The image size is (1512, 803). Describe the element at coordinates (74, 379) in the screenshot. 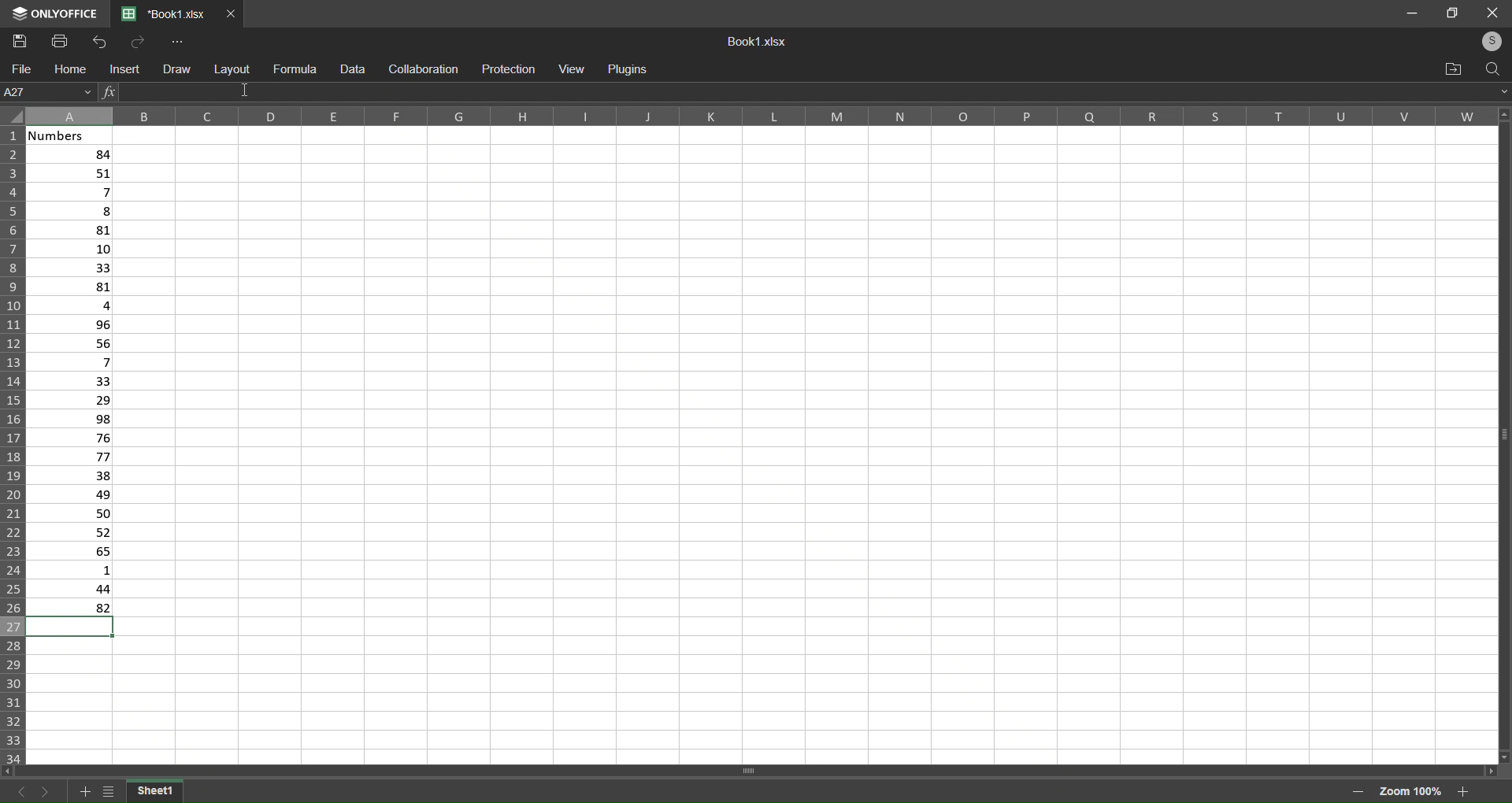

I see `Data` at that location.